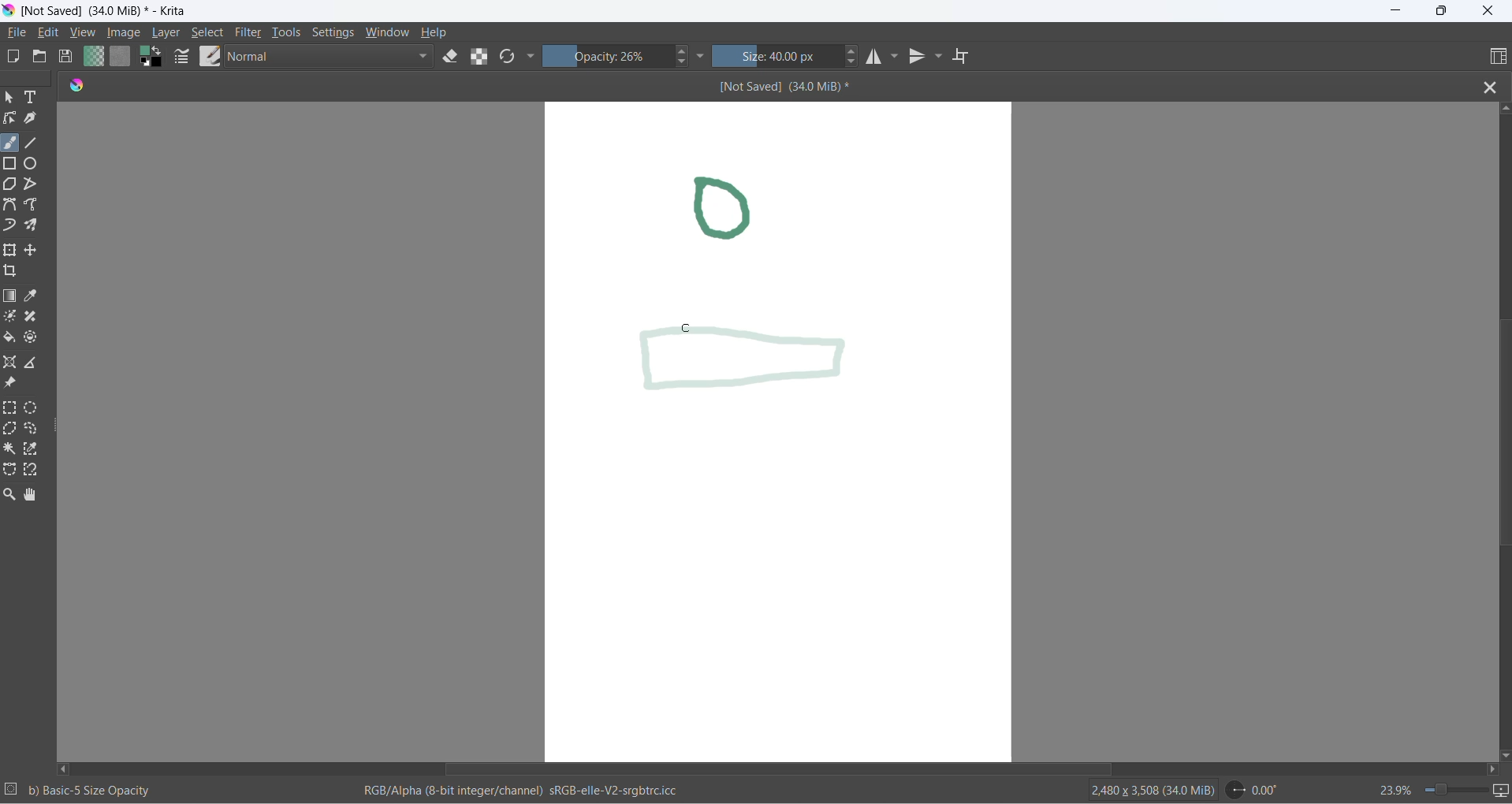 The height and width of the screenshot is (804, 1512). What do you see at coordinates (13, 472) in the screenshot?
I see `Bezier curve selection tool ` at bounding box center [13, 472].